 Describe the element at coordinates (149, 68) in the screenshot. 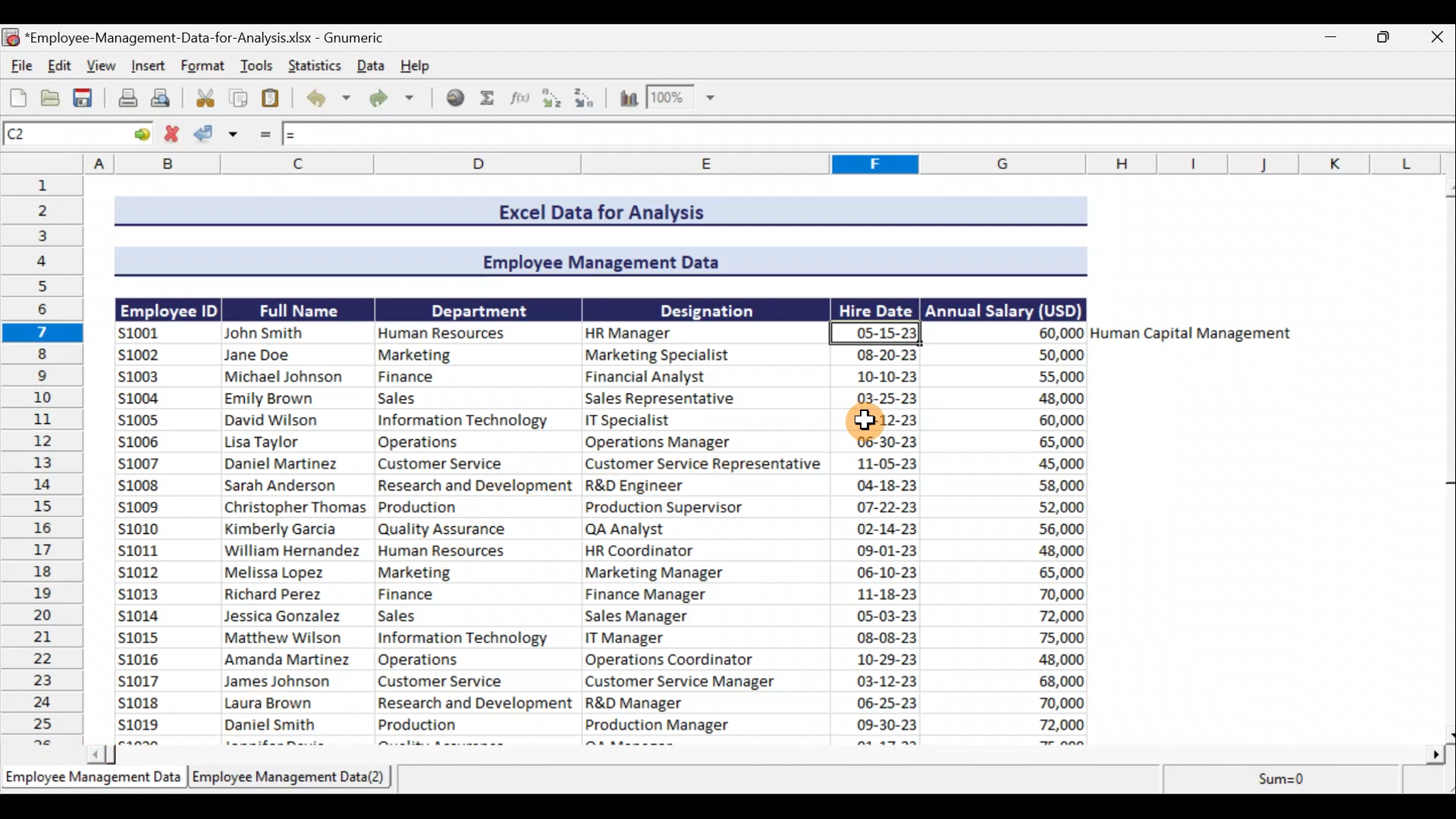

I see `Insert` at that location.